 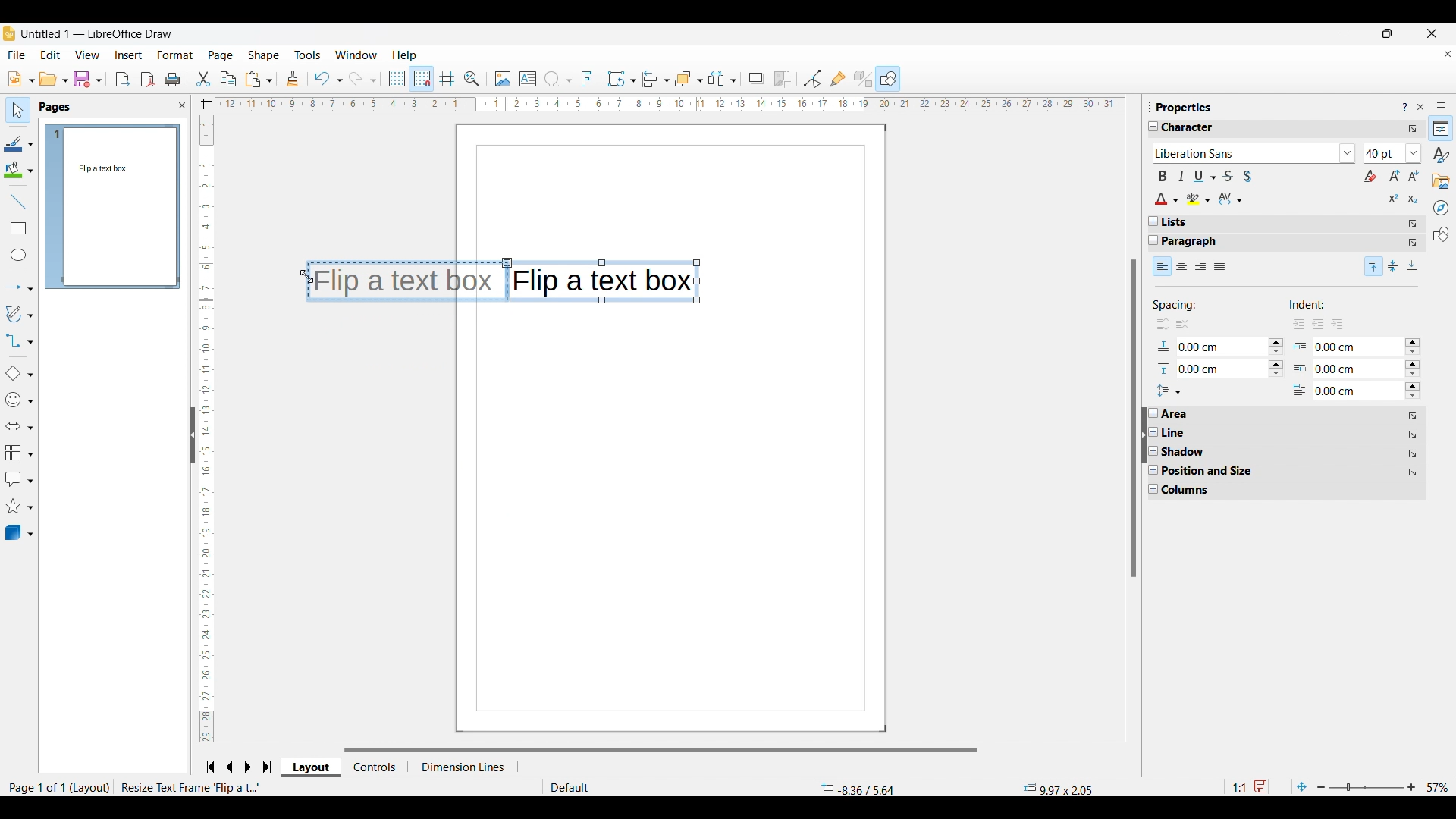 What do you see at coordinates (1355, 350) in the screenshot?
I see `0.00 cm` at bounding box center [1355, 350].